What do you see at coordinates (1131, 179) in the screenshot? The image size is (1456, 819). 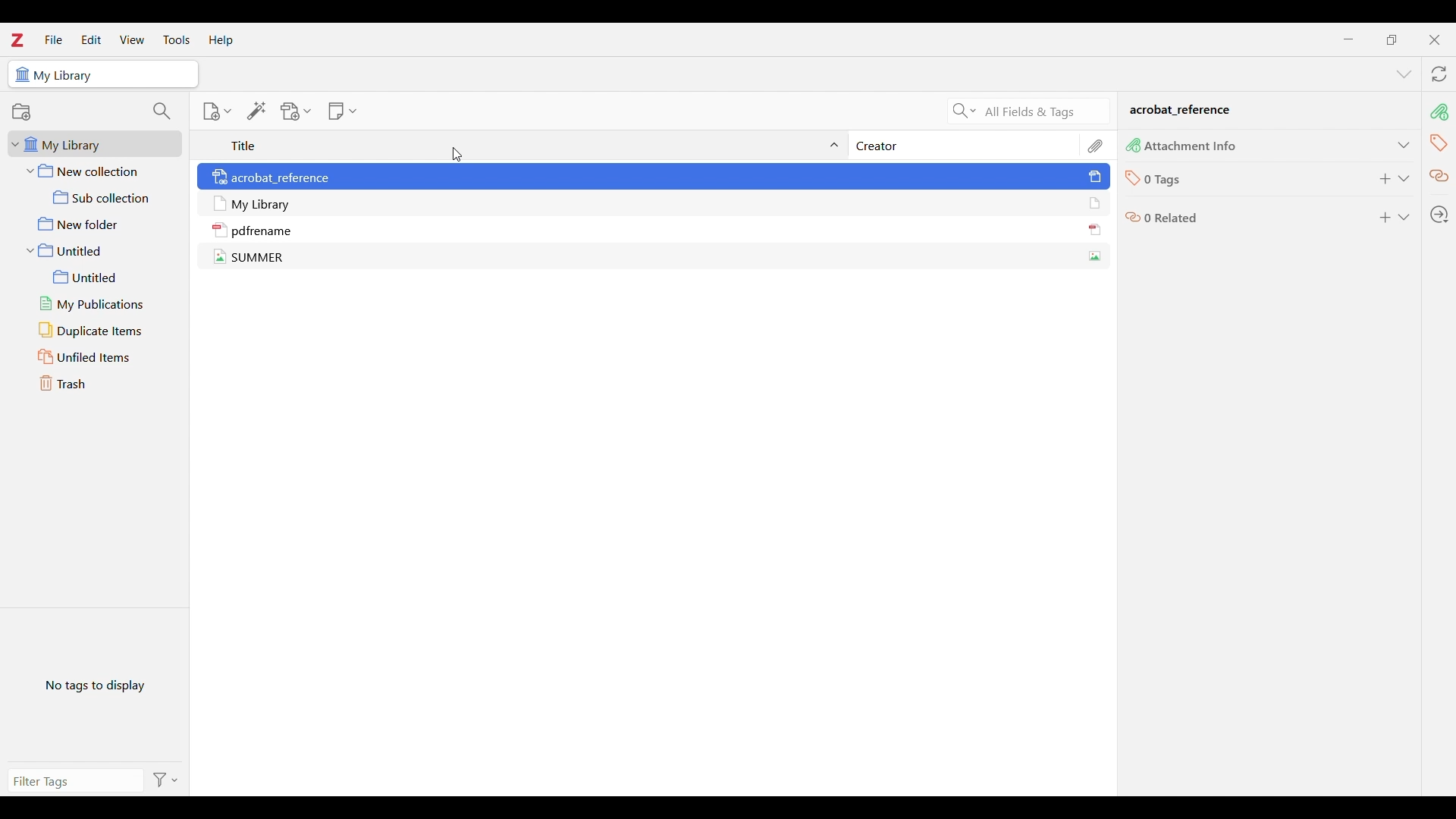 I see `icon` at bounding box center [1131, 179].